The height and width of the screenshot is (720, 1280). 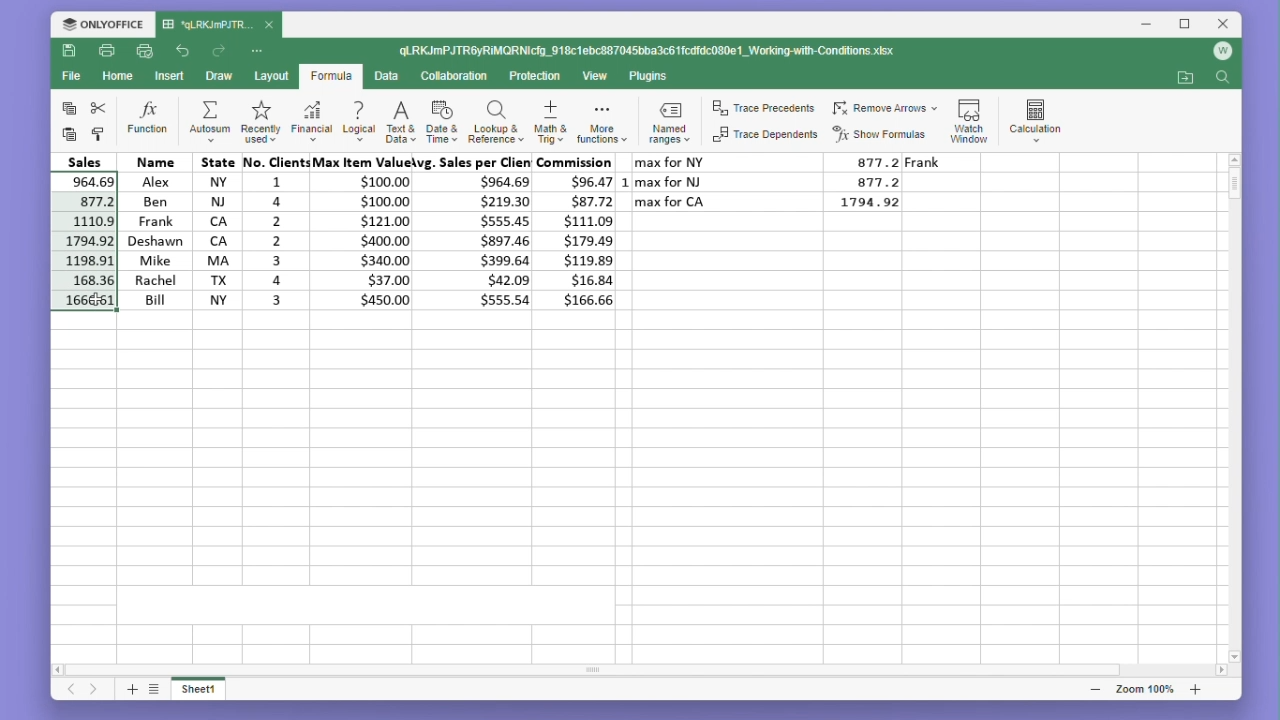 What do you see at coordinates (99, 108) in the screenshot?
I see `cut` at bounding box center [99, 108].